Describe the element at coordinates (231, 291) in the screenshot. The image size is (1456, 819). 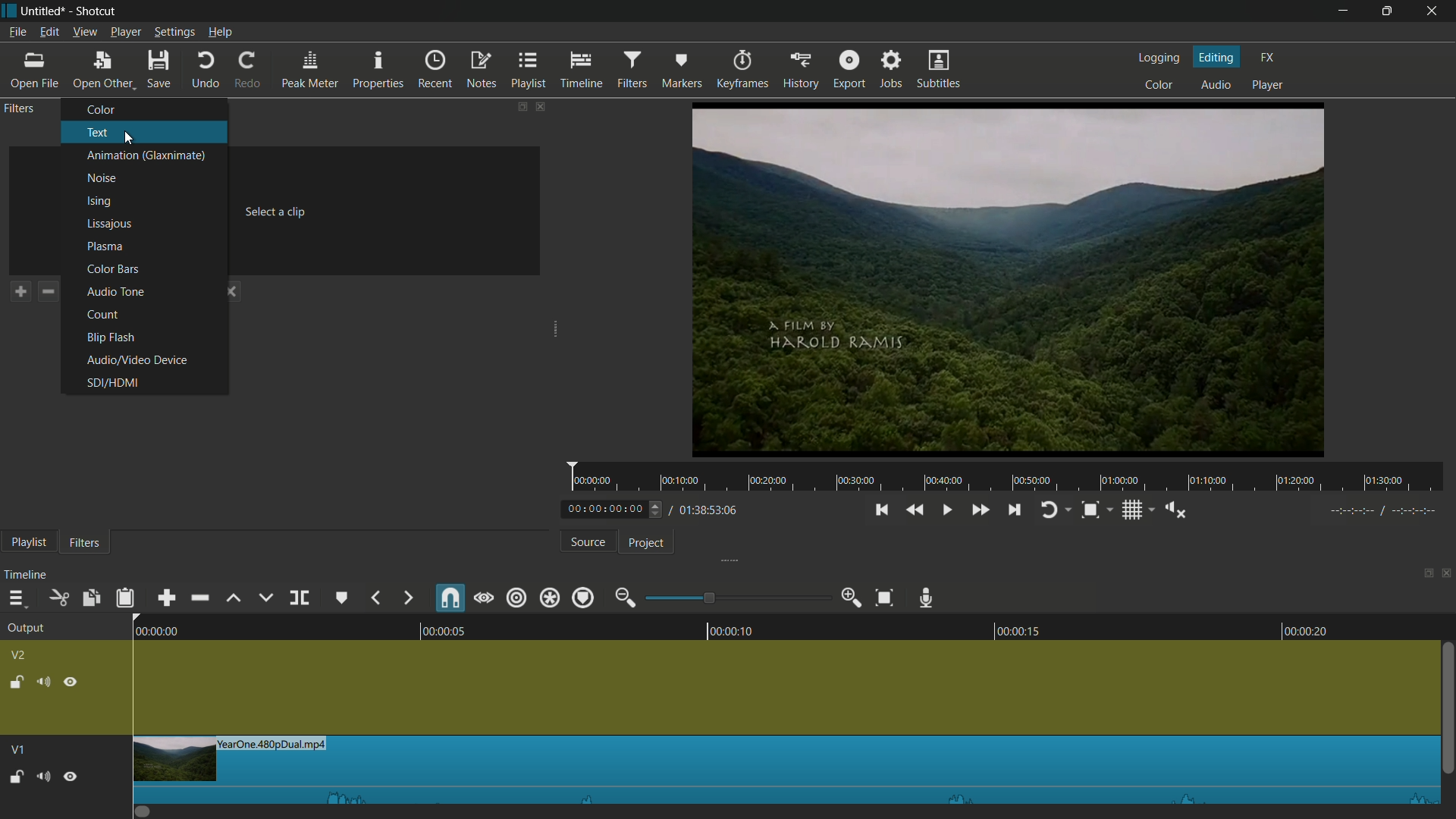
I see `deselect the filter` at that location.